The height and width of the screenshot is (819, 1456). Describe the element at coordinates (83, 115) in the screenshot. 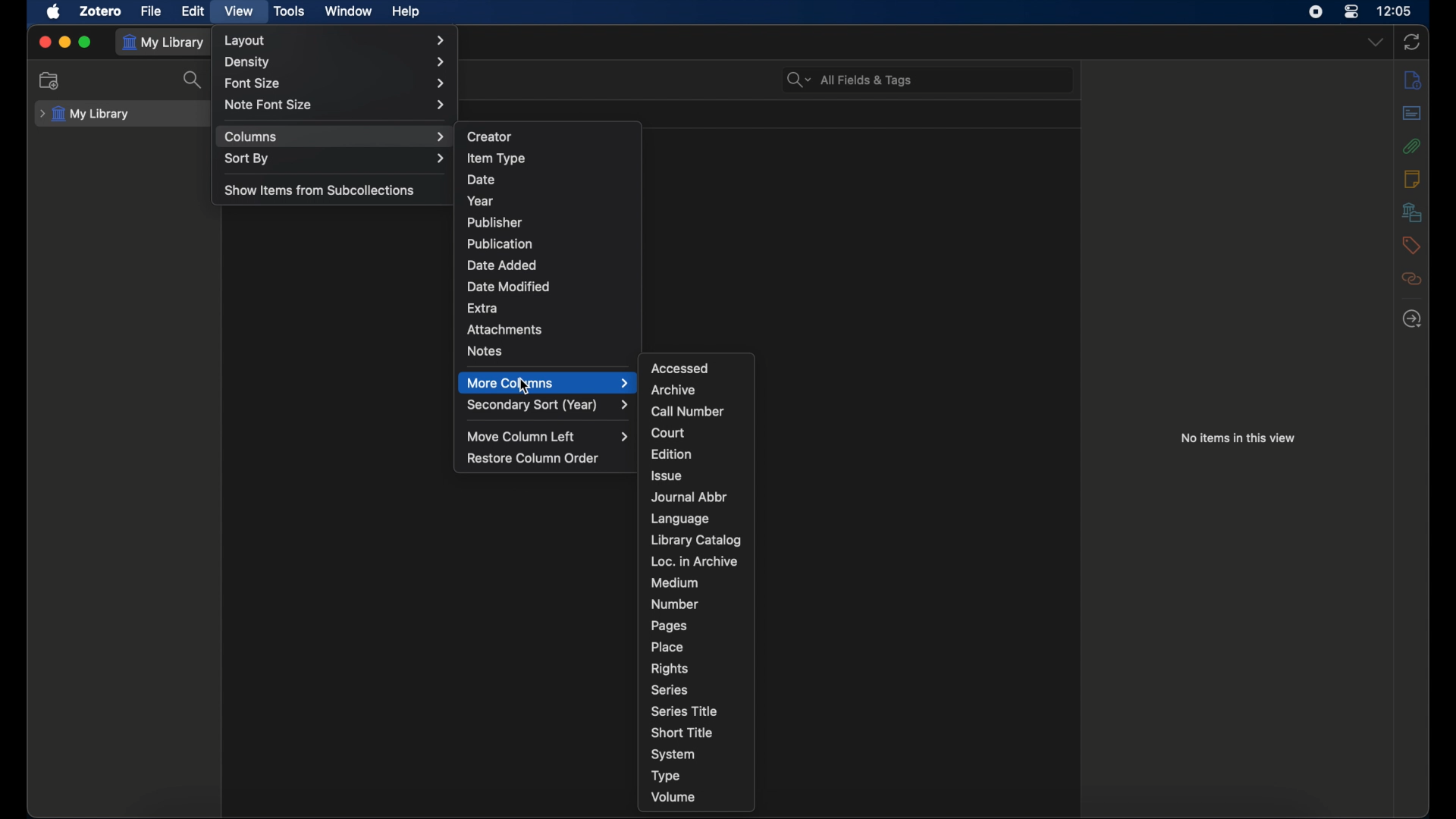

I see `my library` at that location.